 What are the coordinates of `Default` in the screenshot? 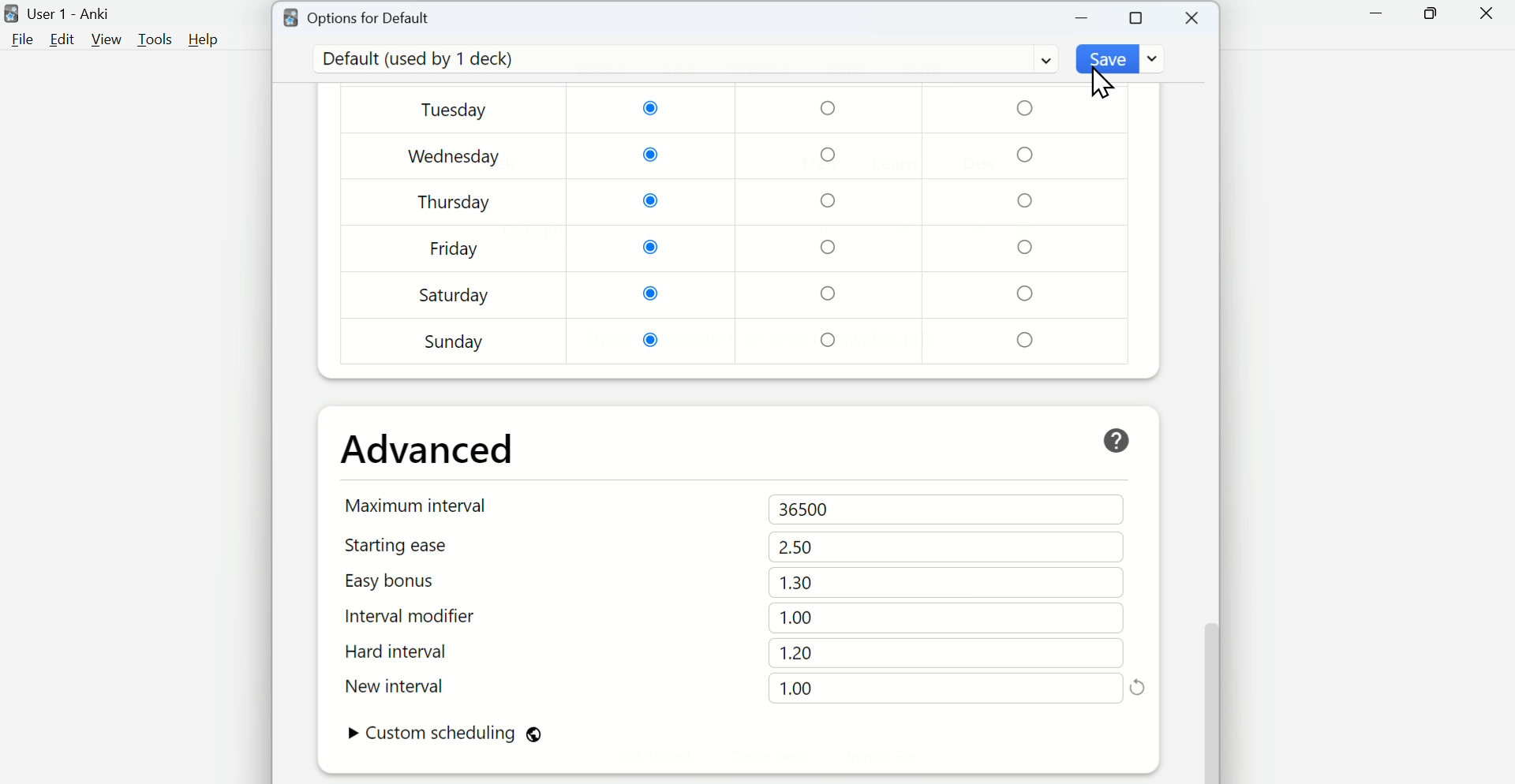 It's located at (683, 59).